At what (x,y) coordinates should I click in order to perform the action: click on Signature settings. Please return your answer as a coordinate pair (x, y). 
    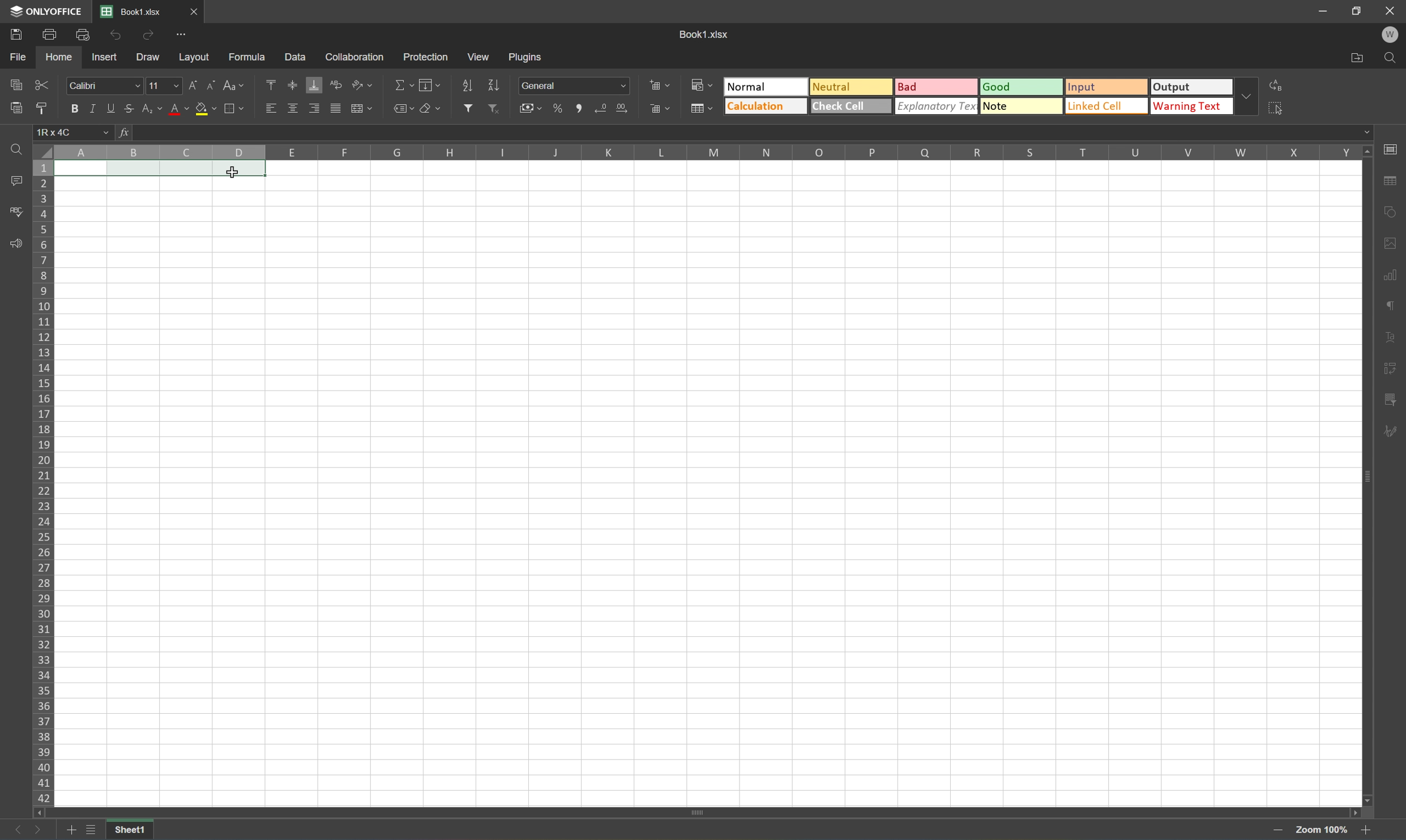
    Looking at the image, I should click on (1390, 436).